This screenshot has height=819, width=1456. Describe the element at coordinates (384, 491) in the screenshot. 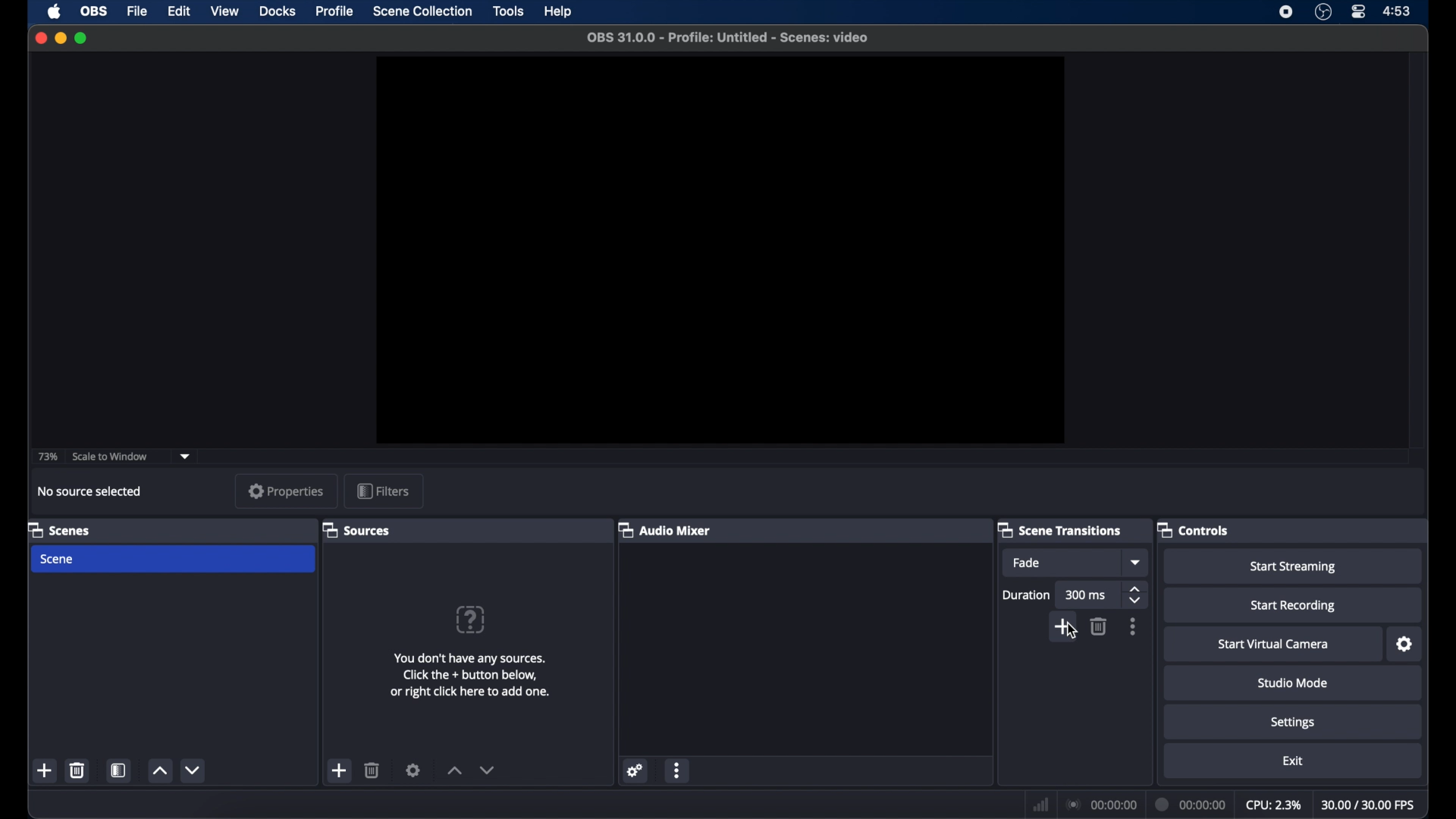

I see `filters` at that location.